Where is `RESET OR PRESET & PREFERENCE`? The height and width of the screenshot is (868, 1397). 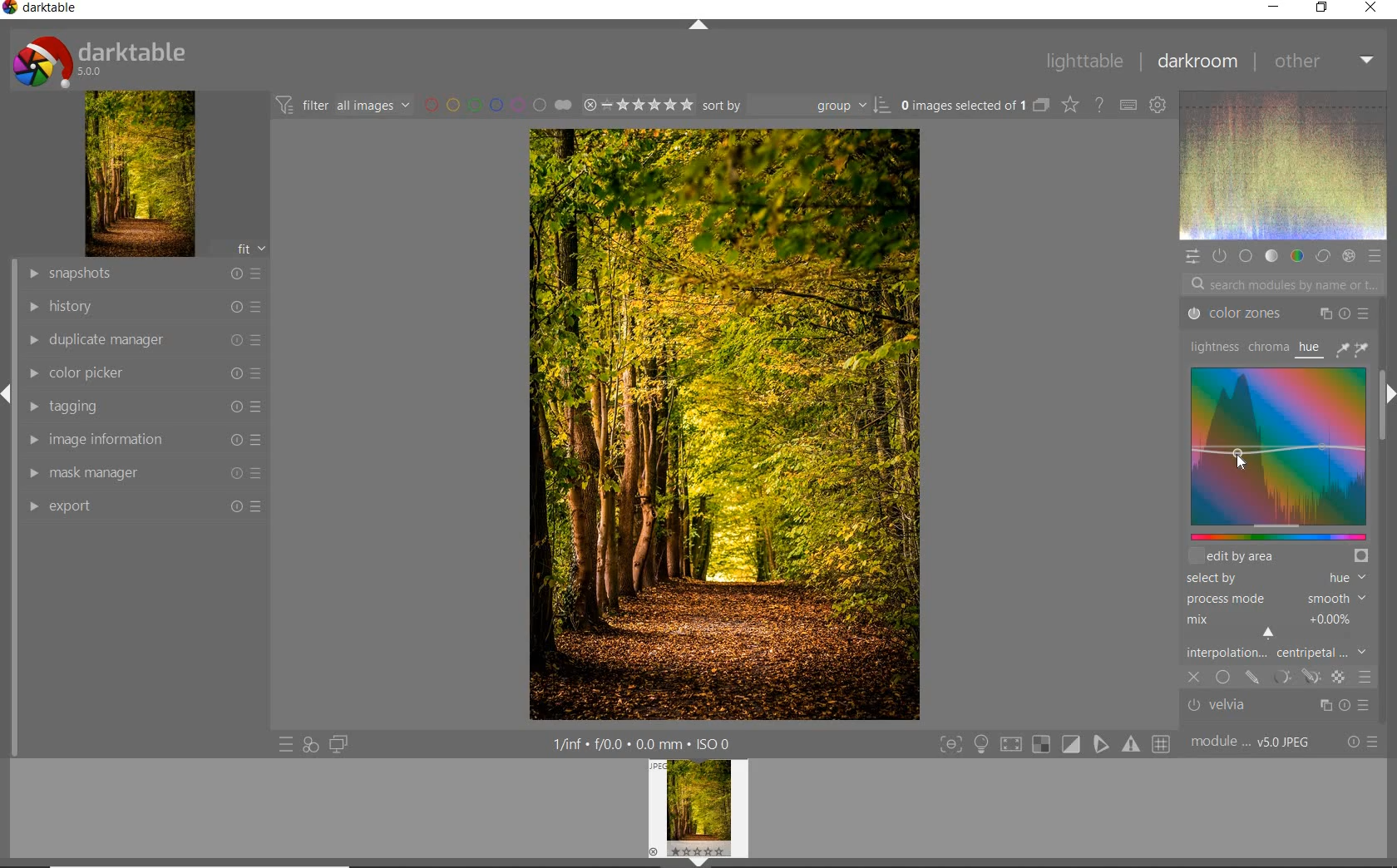 RESET OR PRESET & PREFERENCE is located at coordinates (1363, 742).